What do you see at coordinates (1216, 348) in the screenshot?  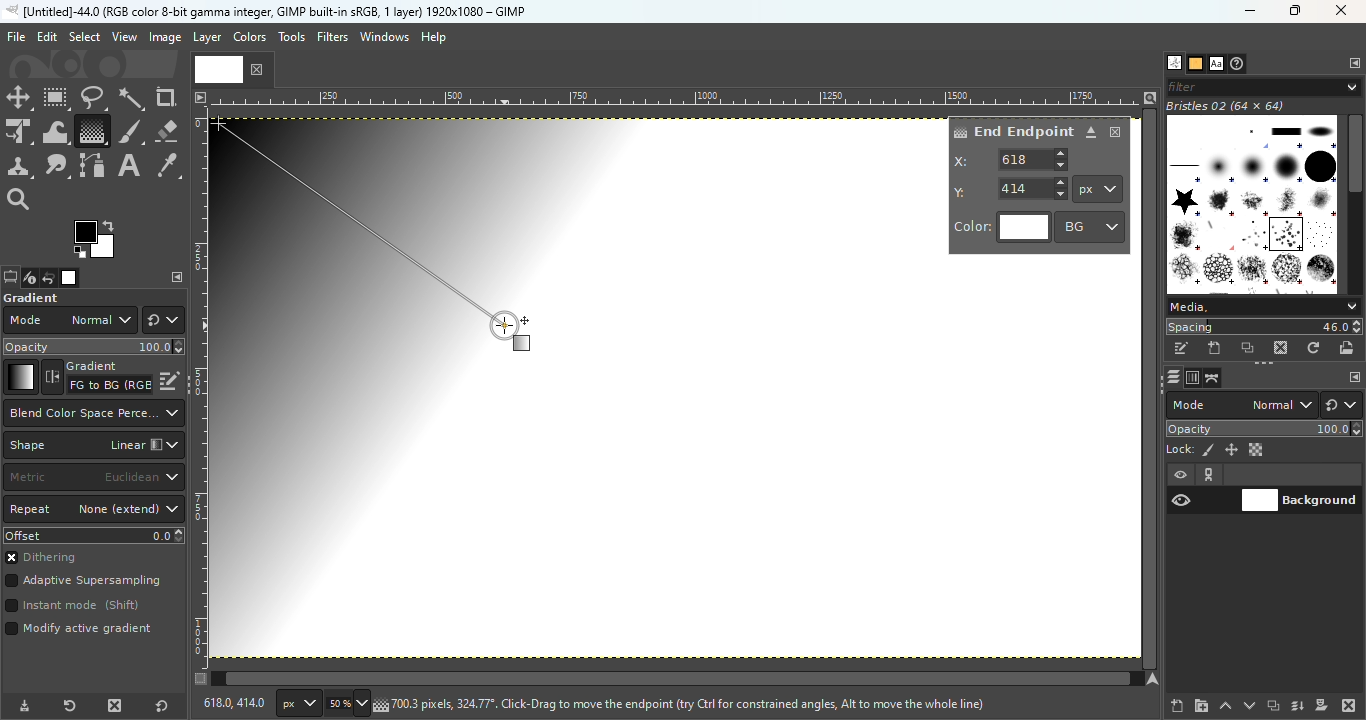 I see `Create a new brush` at bounding box center [1216, 348].